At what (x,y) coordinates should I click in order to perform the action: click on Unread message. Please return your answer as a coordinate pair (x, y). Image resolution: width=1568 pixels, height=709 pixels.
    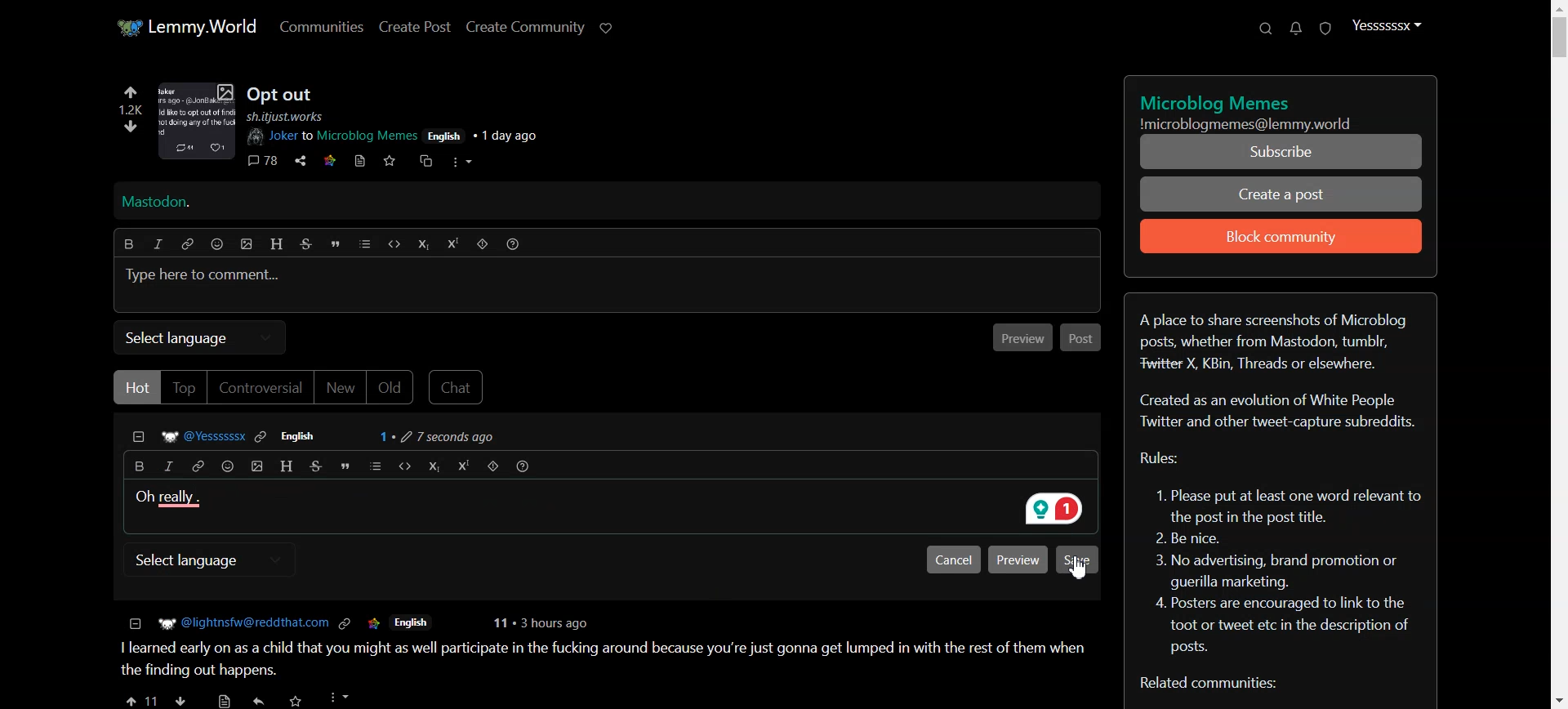
    Looking at the image, I should click on (1295, 29).